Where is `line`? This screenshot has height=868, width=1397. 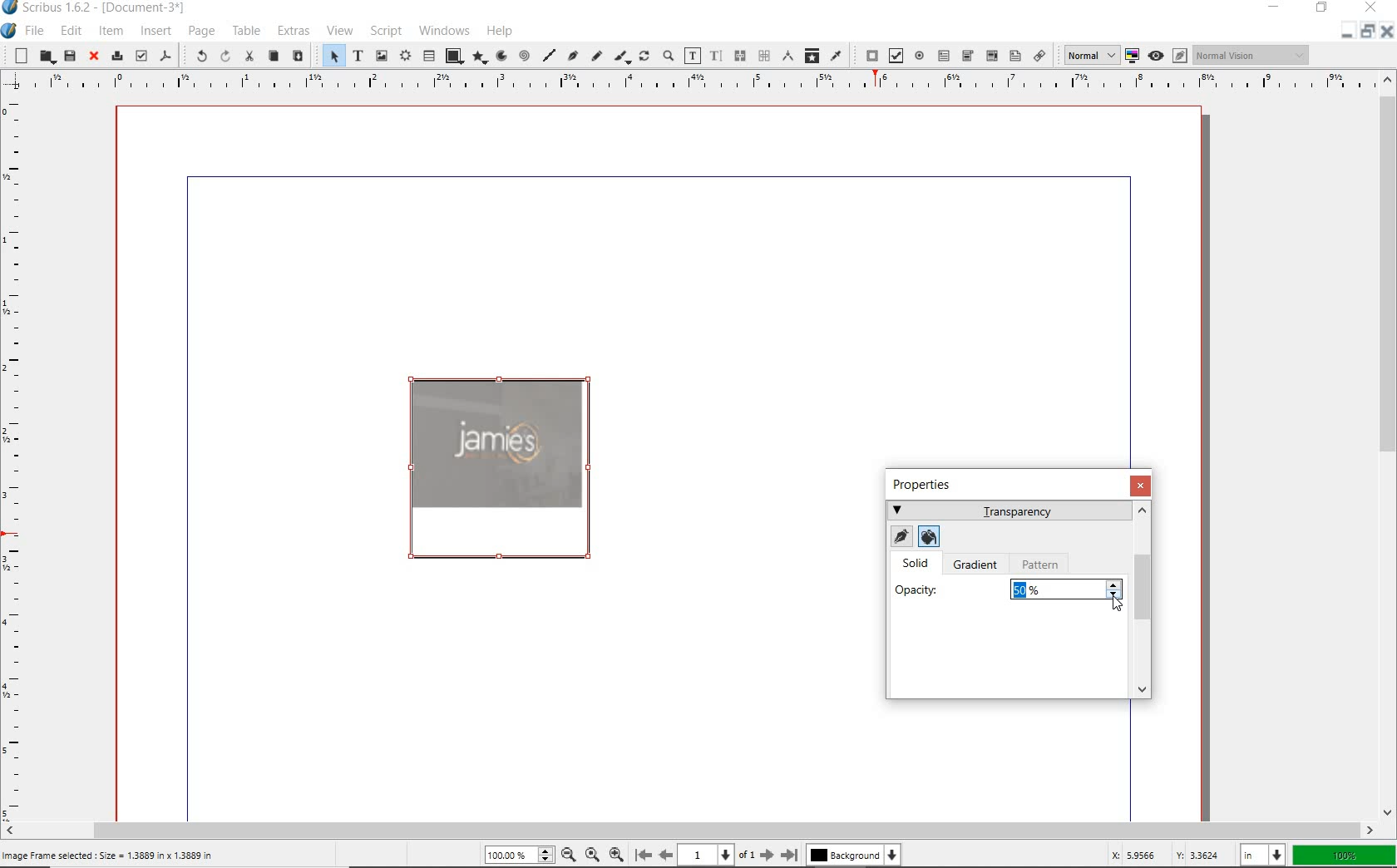
line is located at coordinates (549, 55).